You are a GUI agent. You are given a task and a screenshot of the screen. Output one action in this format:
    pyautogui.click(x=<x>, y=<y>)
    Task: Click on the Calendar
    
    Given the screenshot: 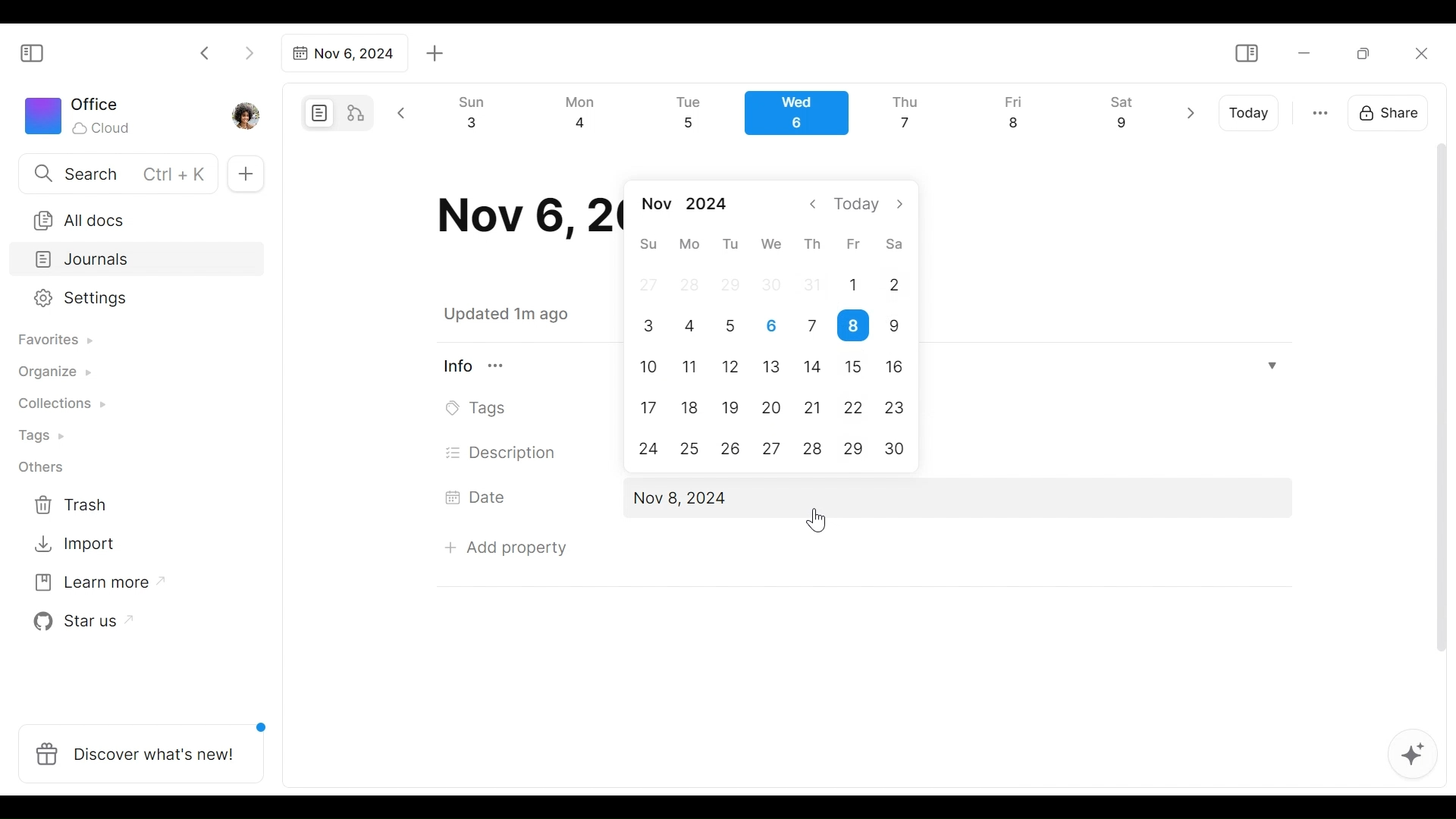 What is the action you would take?
    pyautogui.click(x=773, y=330)
    